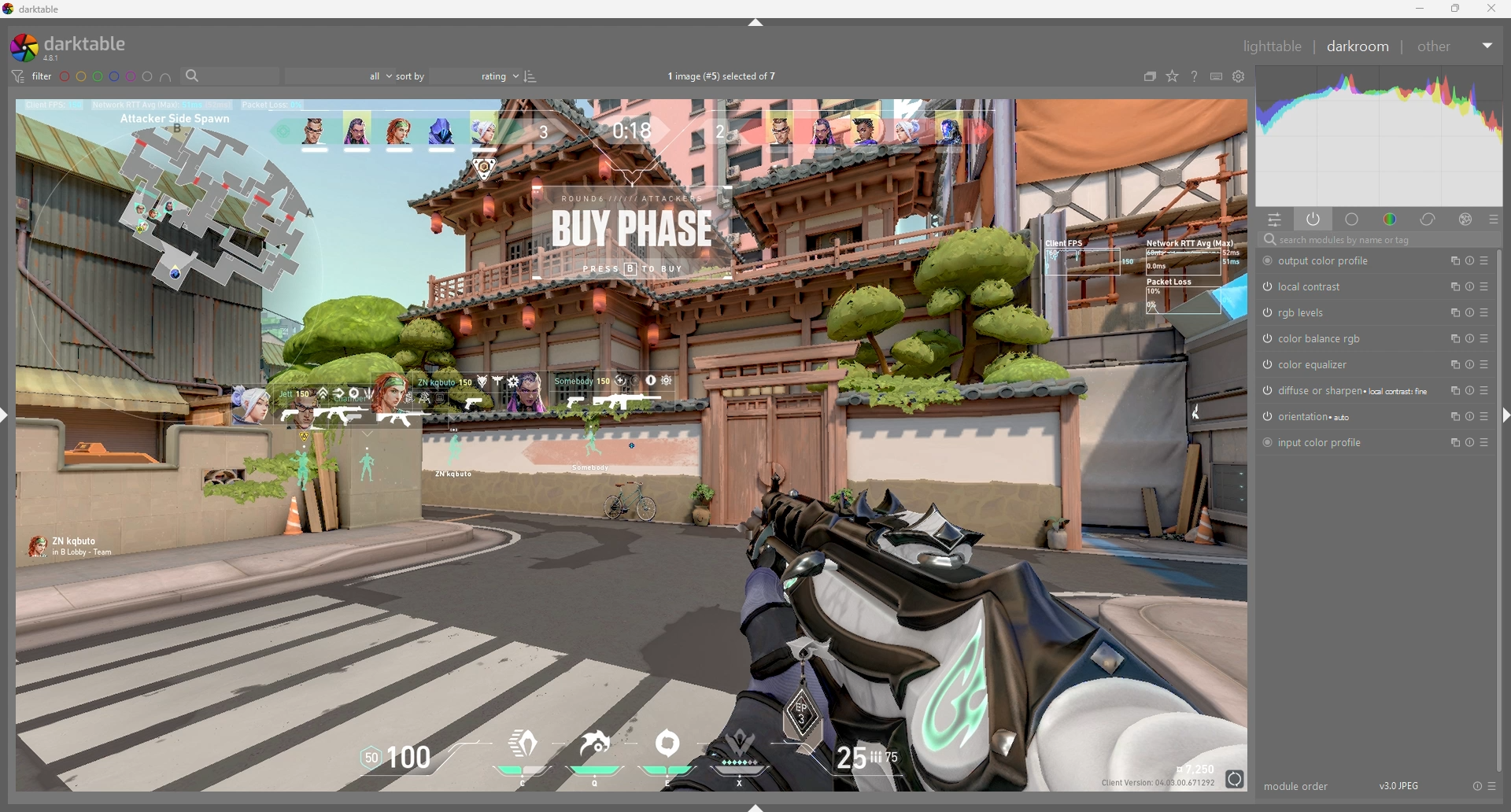 The height and width of the screenshot is (812, 1511). What do you see at coordinates (1315, 442) in the screenshot?
I see `input color profile` at bounding box center [1315, 442].